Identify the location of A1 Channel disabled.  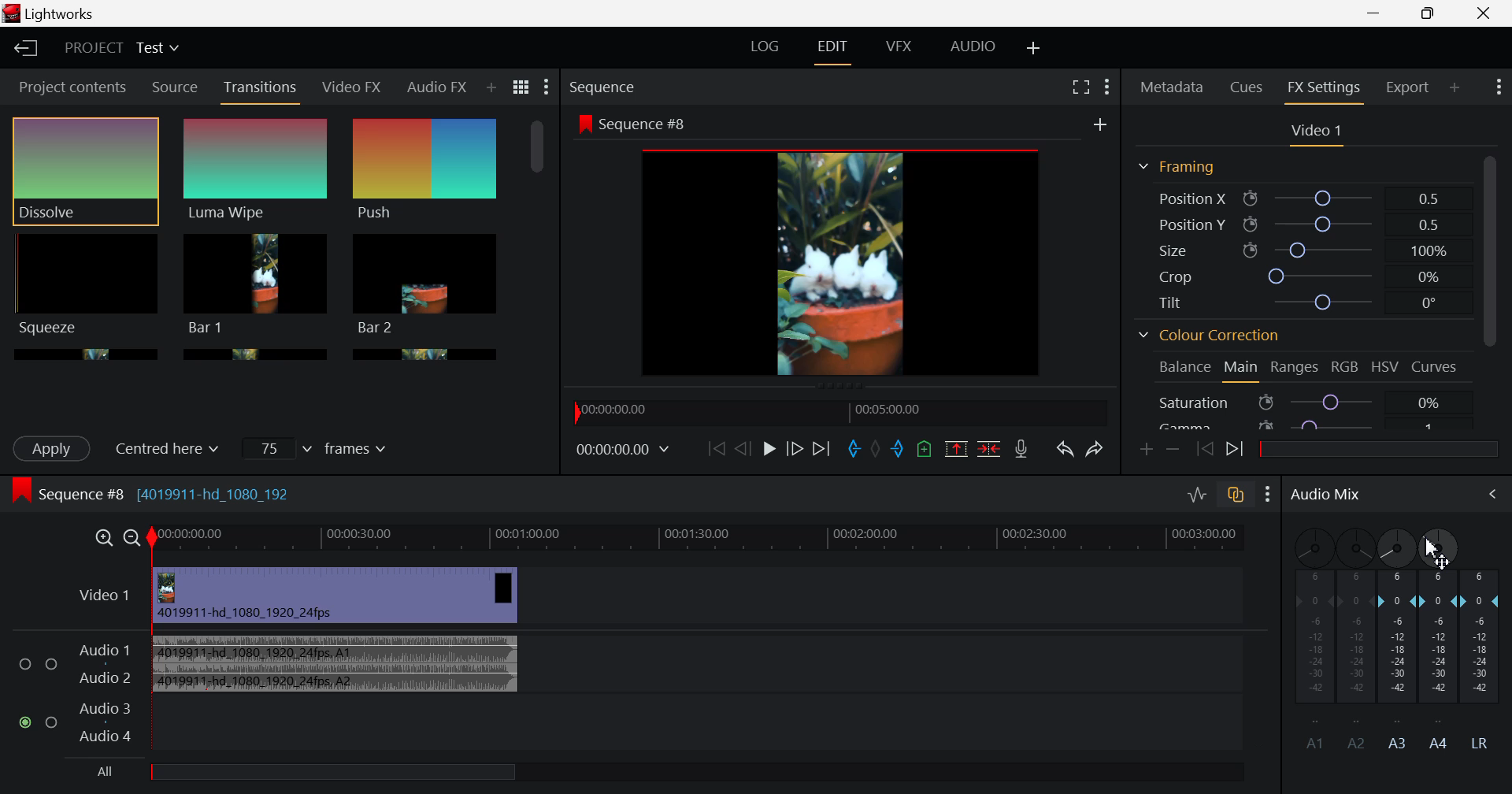
(1308, 639).